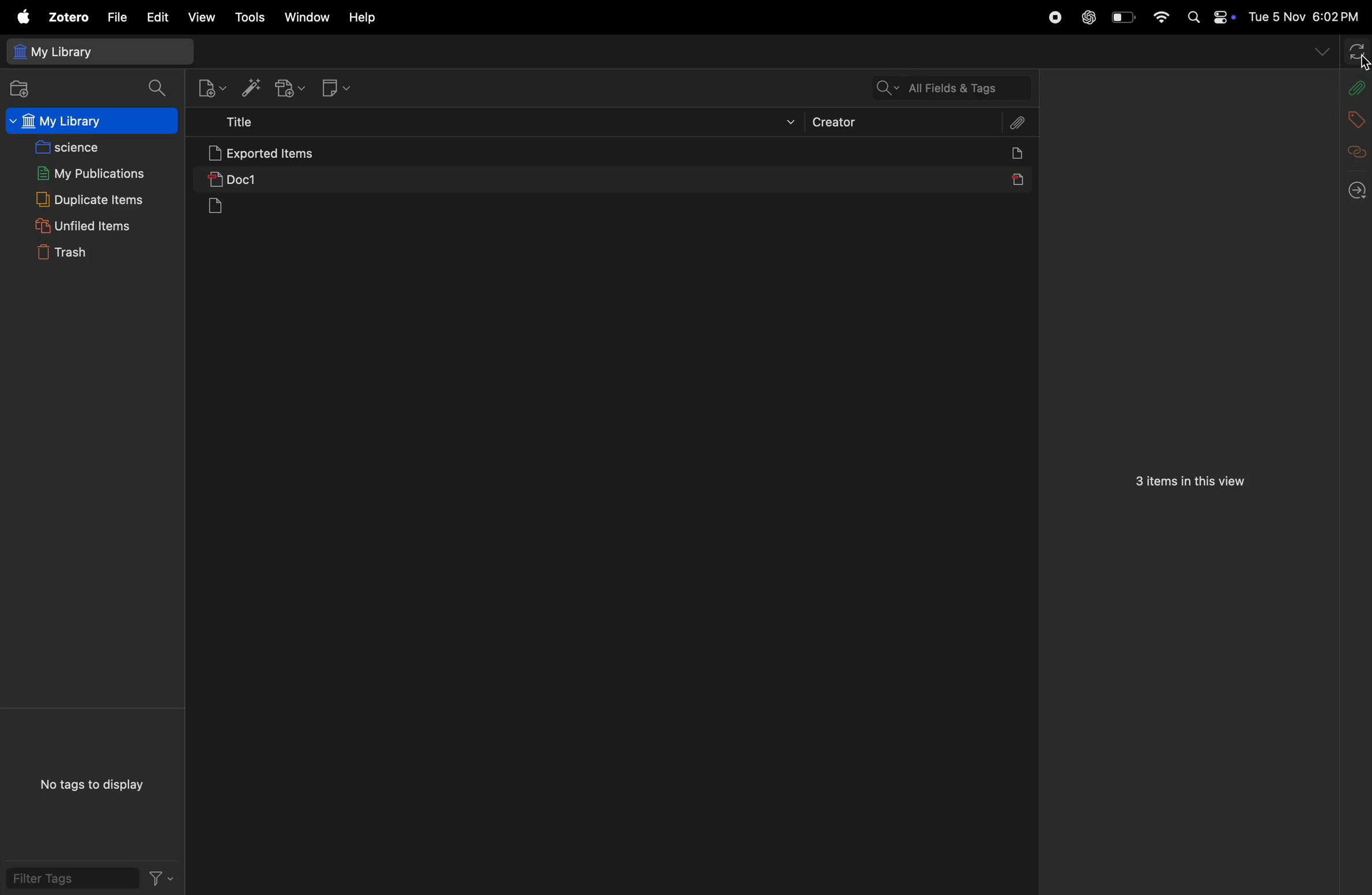  What do you see at coordinates (205, 88) in the screenshot?
I see `new items` at bounding box center [205, 88].